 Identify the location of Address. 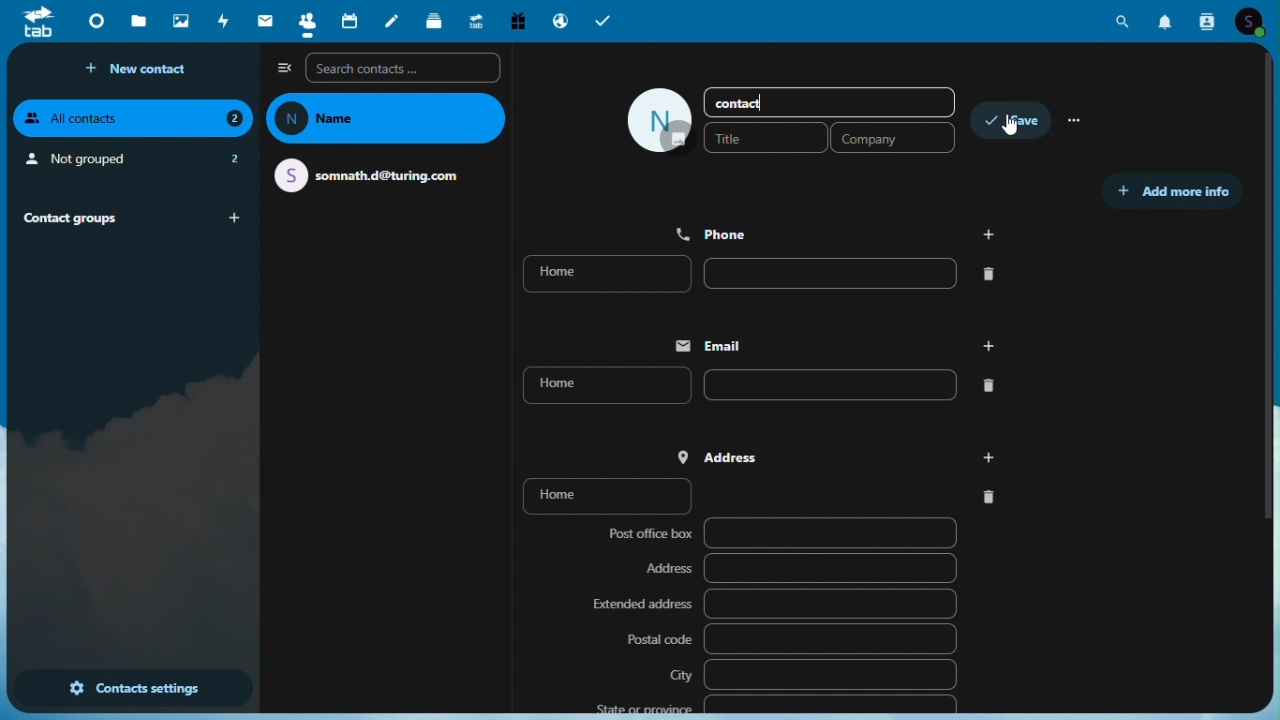
(800, 568).